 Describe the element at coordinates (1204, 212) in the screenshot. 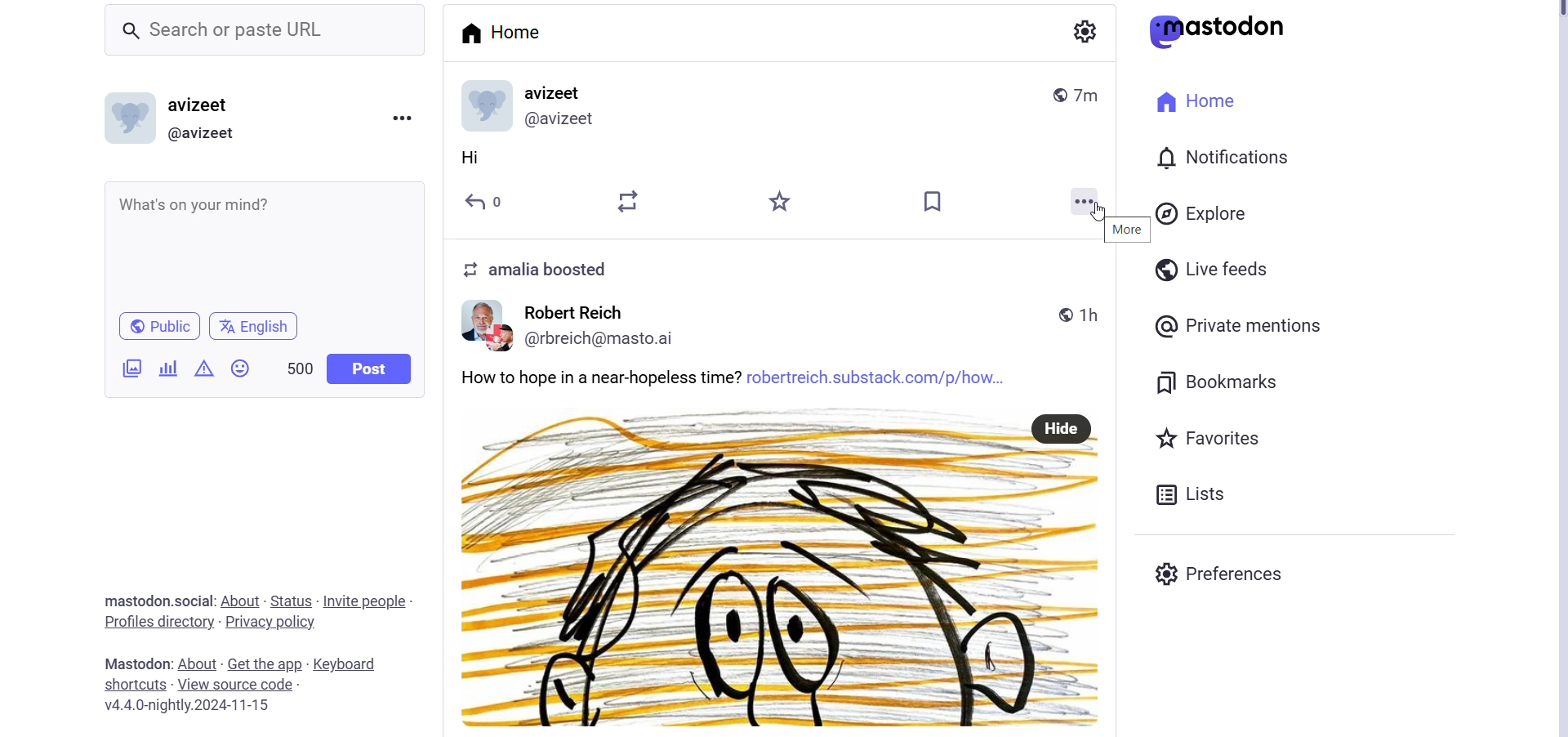

I see `Explore` at that location.